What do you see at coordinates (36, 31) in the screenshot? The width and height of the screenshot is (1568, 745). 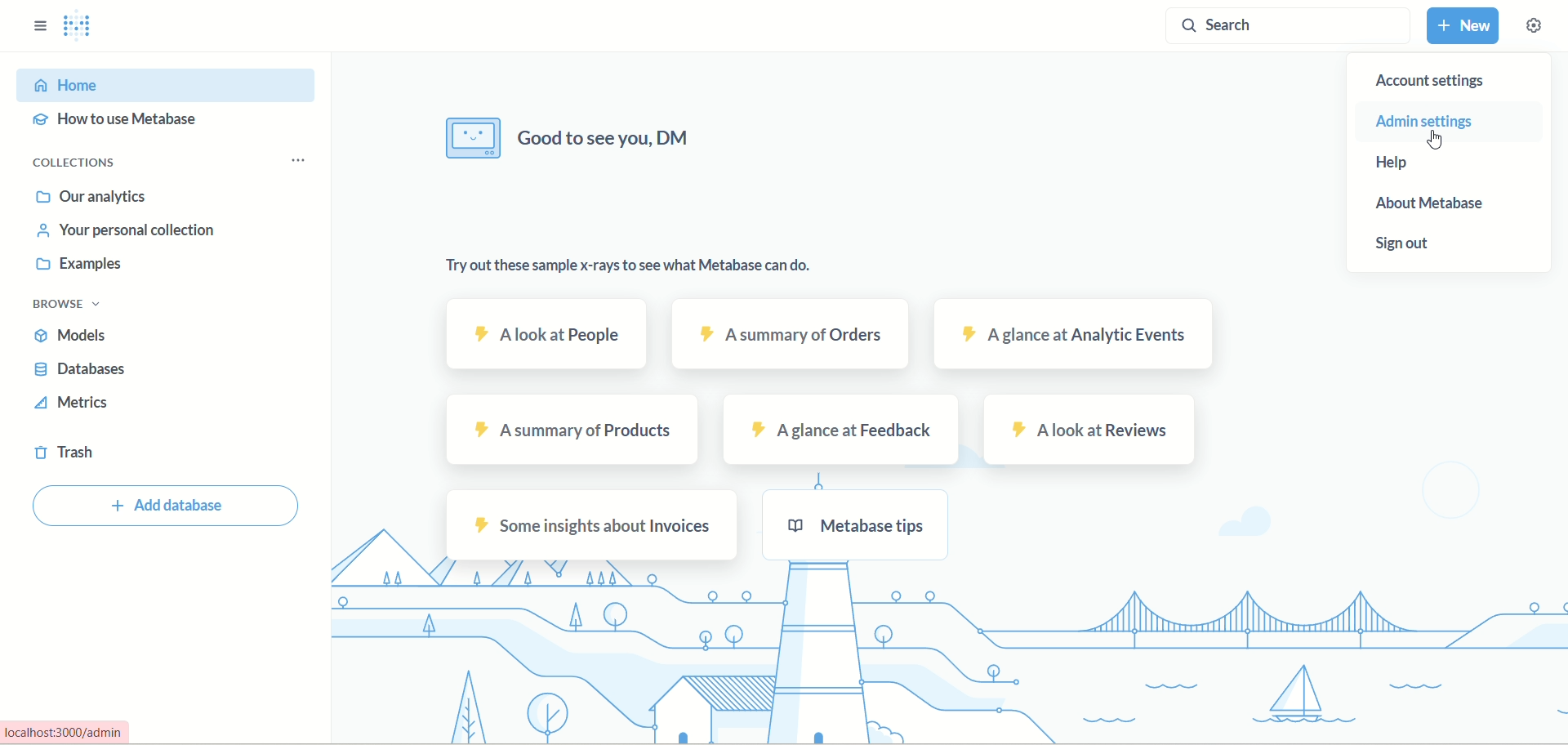 I see `sidebar` at bounding box center [36, 31].